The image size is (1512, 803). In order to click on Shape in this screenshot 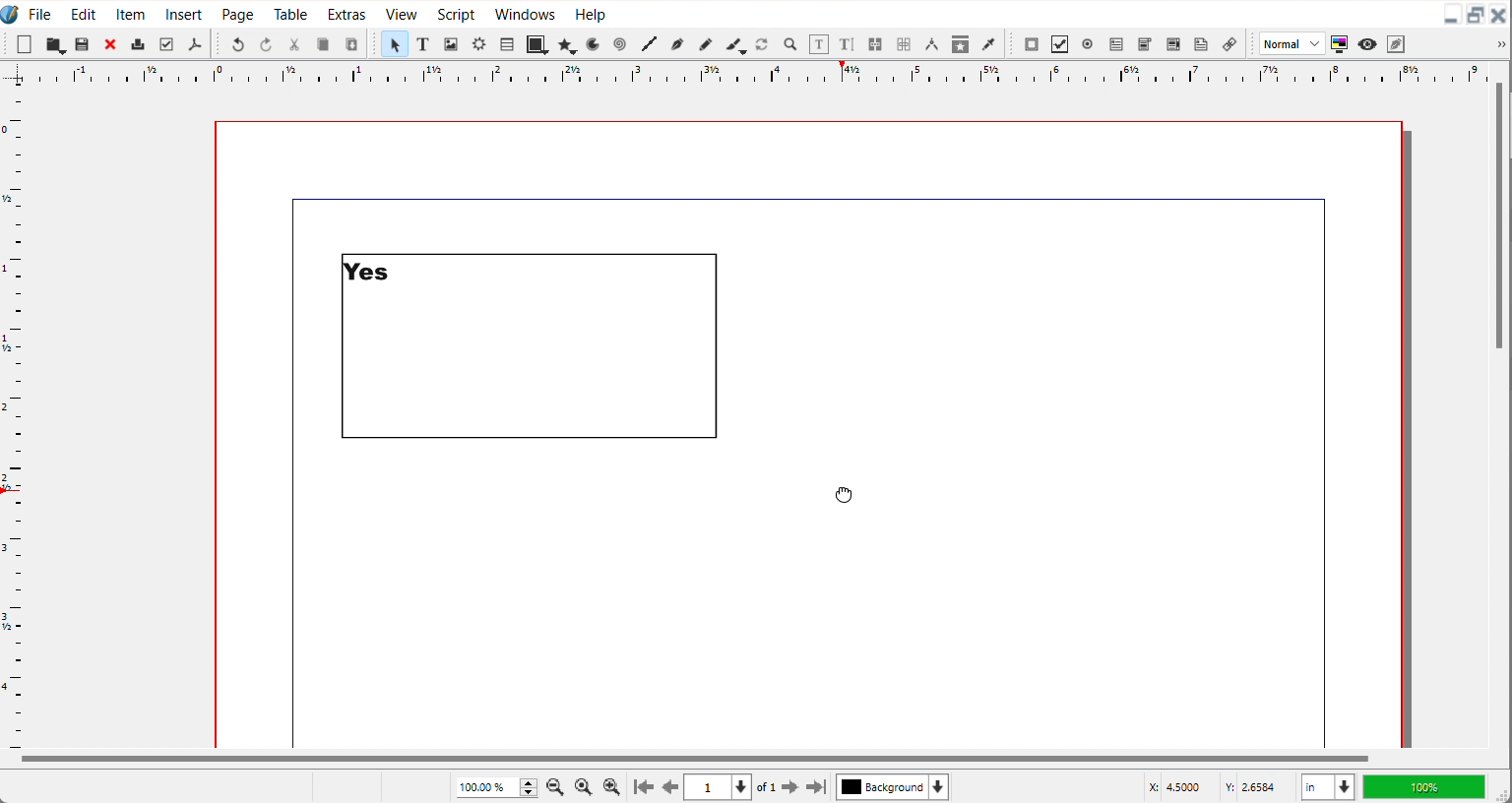, I will do `click(537, 43)`.